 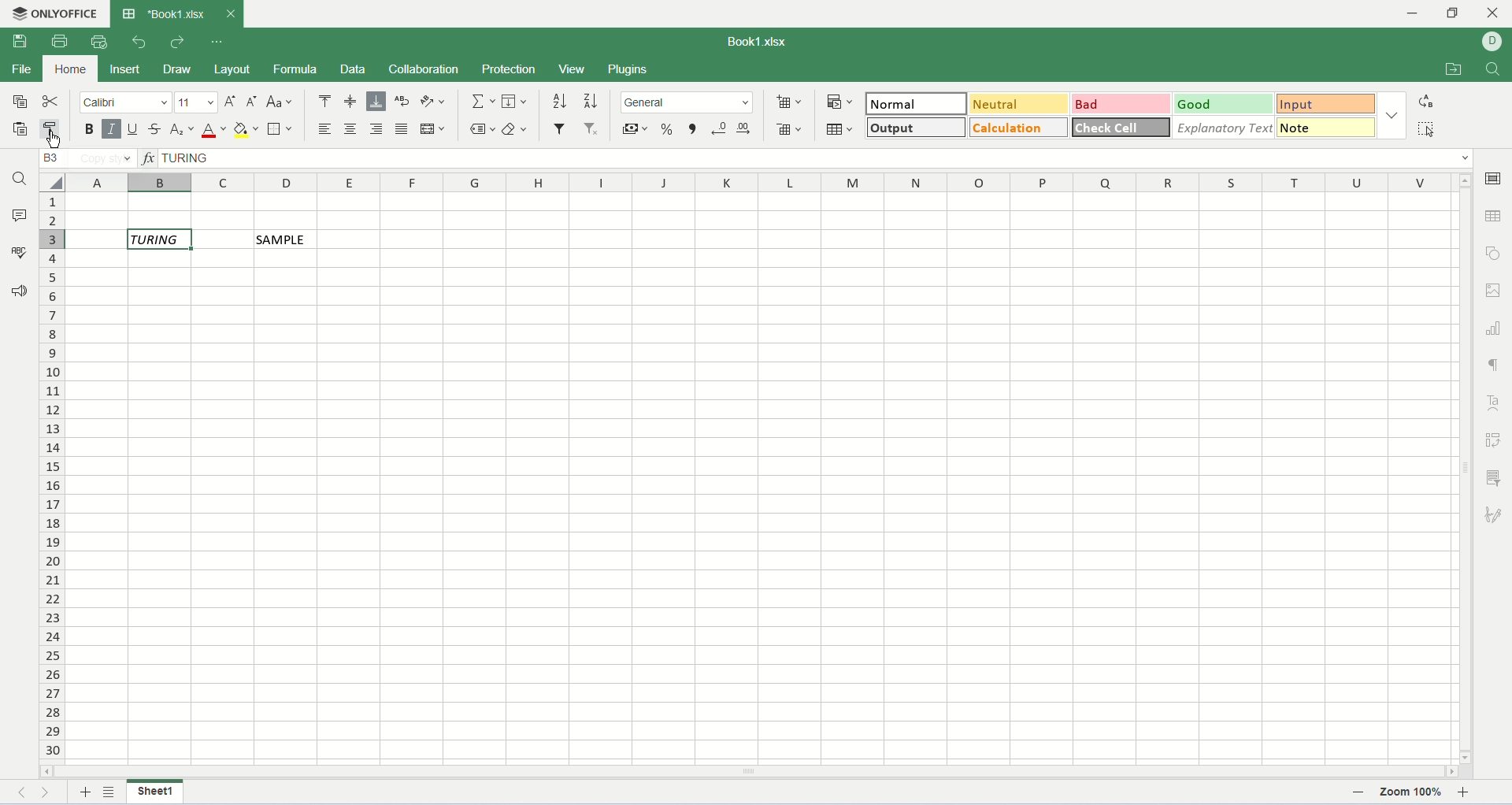 What do you see at coordinates (1496, 440) in the screenshot?
I see `pivot settings` at bounding box center [1496, 440].